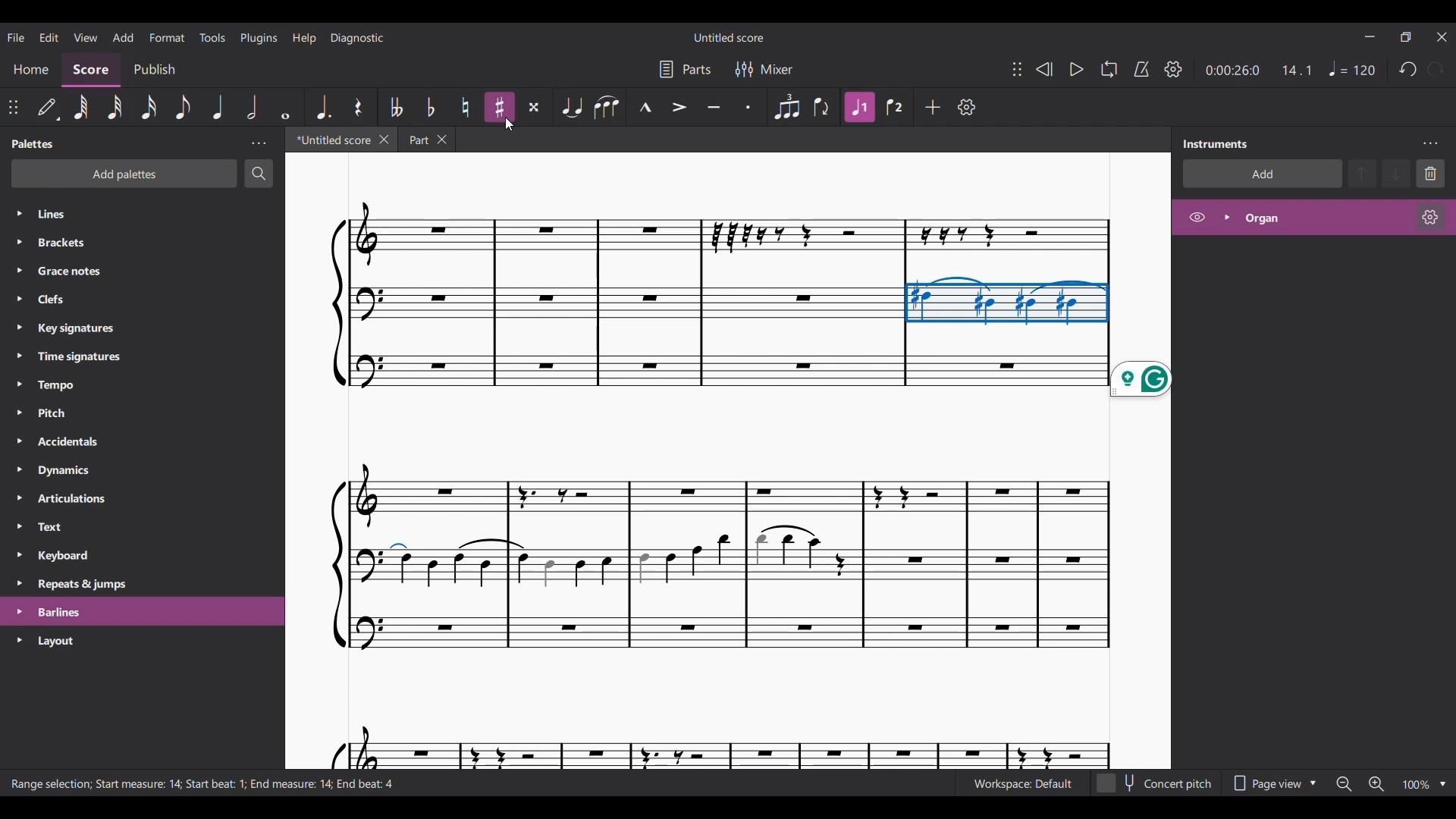  What do you see at coordinates (91, 70) in the screenshot?
I see `Score section, current selection highlighted` at bounding box center [91, 70].